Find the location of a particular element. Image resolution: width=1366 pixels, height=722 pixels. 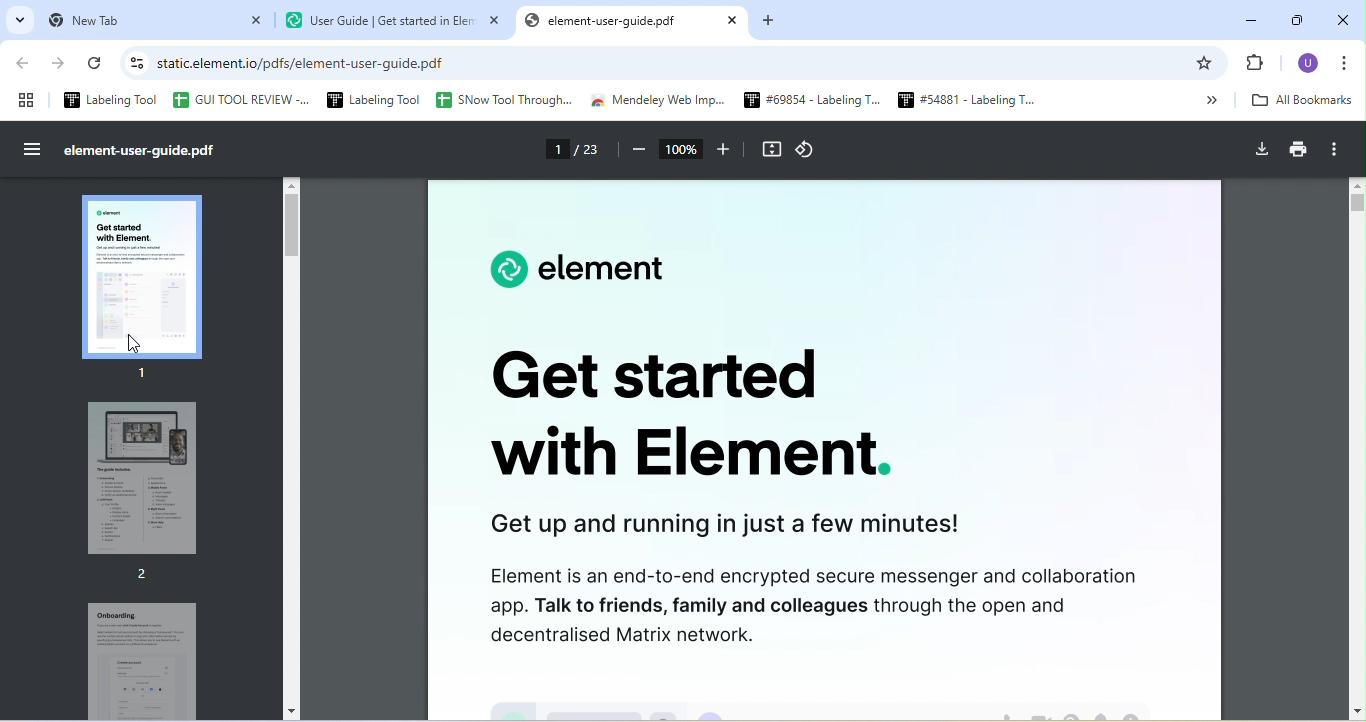

add new tab is located at coordinates (773, 22).